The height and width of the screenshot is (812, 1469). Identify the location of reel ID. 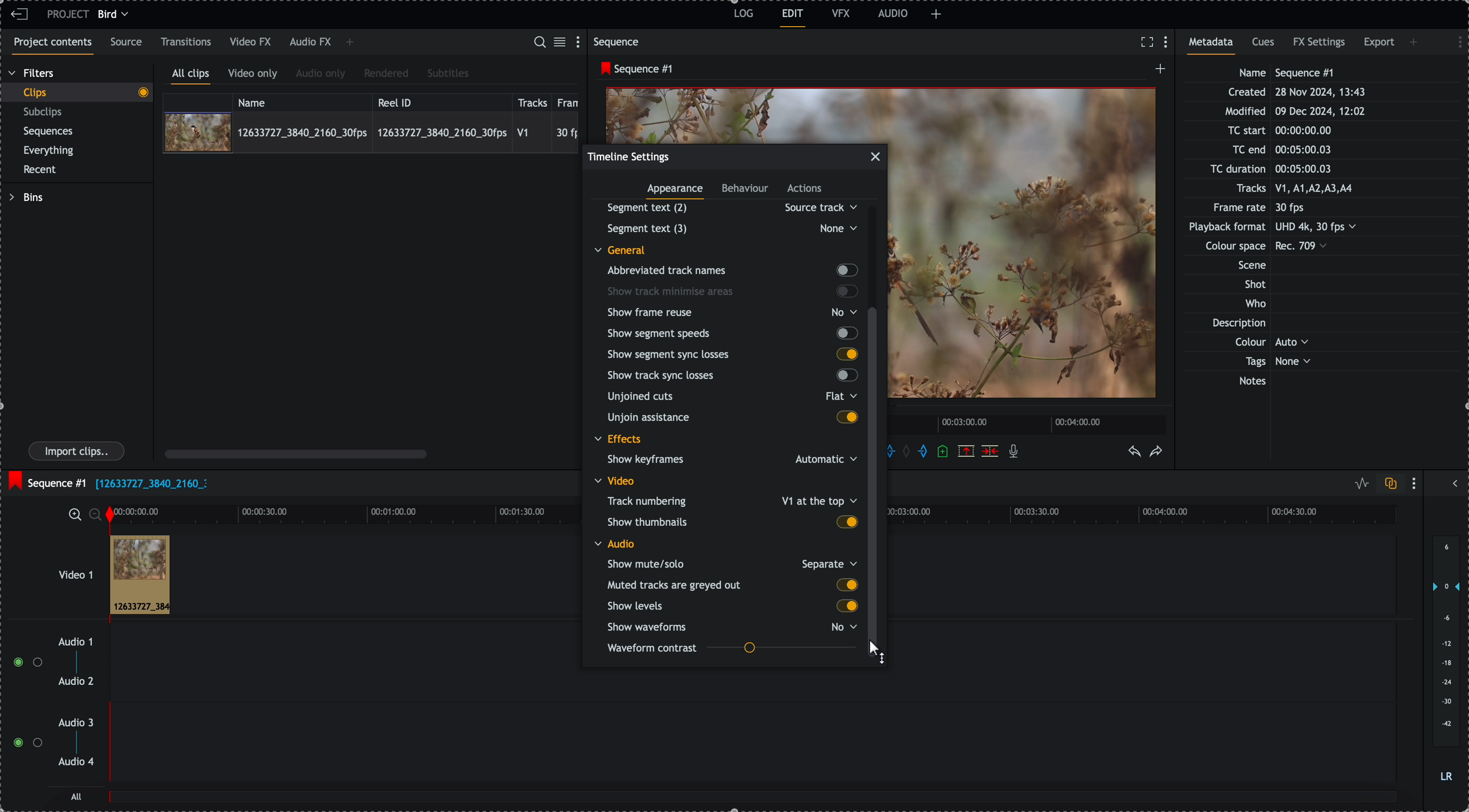
(441, 100).